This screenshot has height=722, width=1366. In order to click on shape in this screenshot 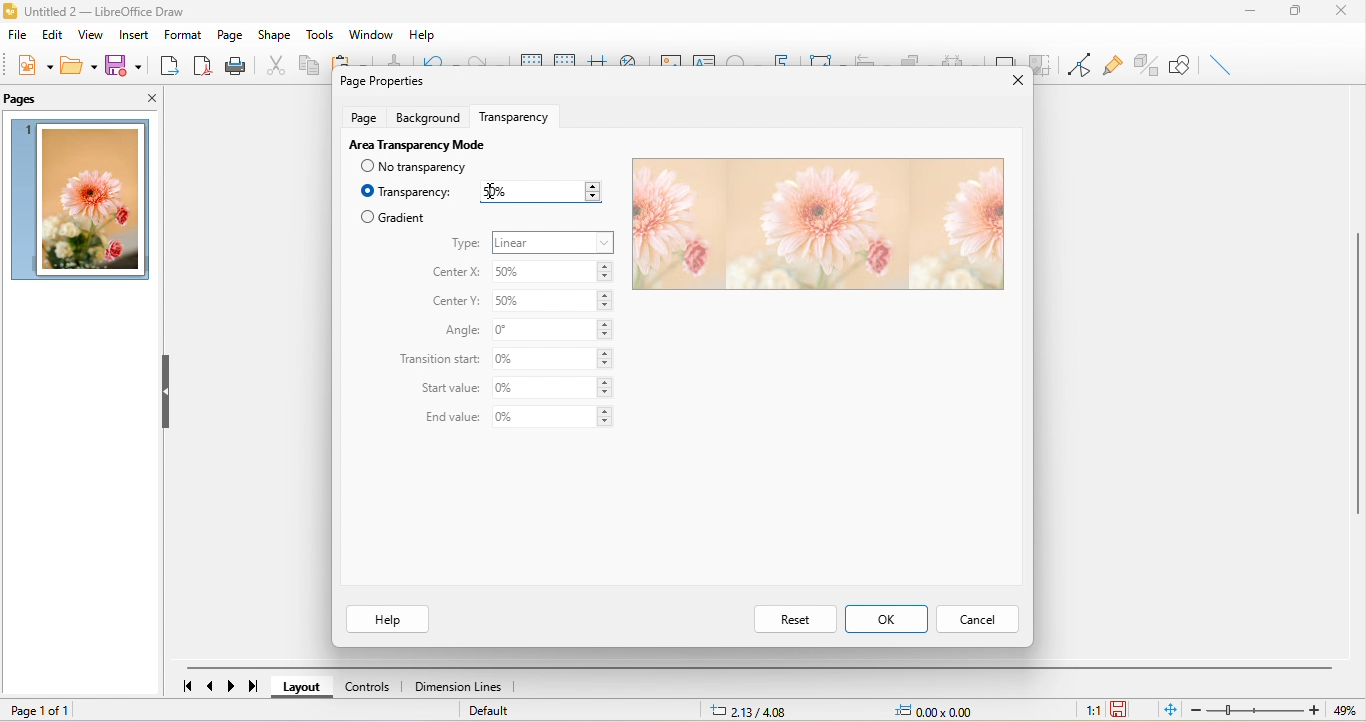, I will do `click(274, 36)`.